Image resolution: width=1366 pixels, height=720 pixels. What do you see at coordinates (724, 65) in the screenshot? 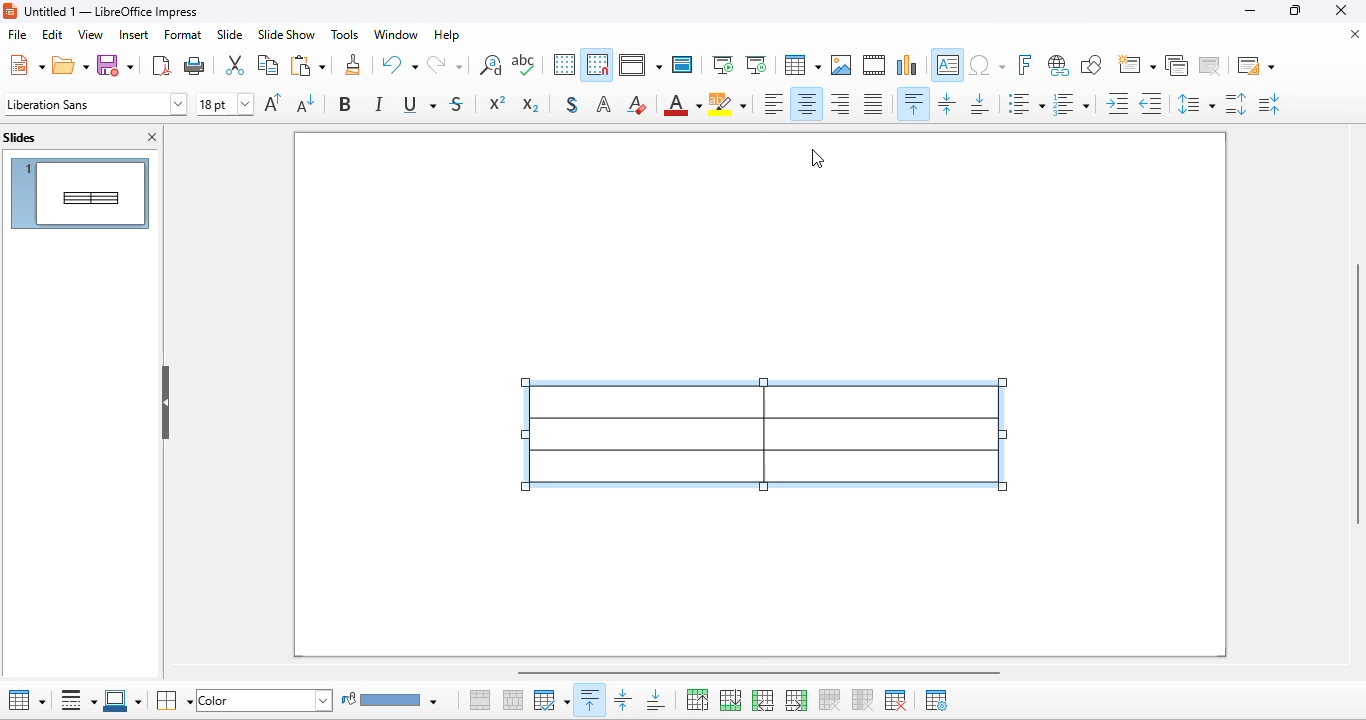
I see `start from first slide` at bounding box center [724, 65].